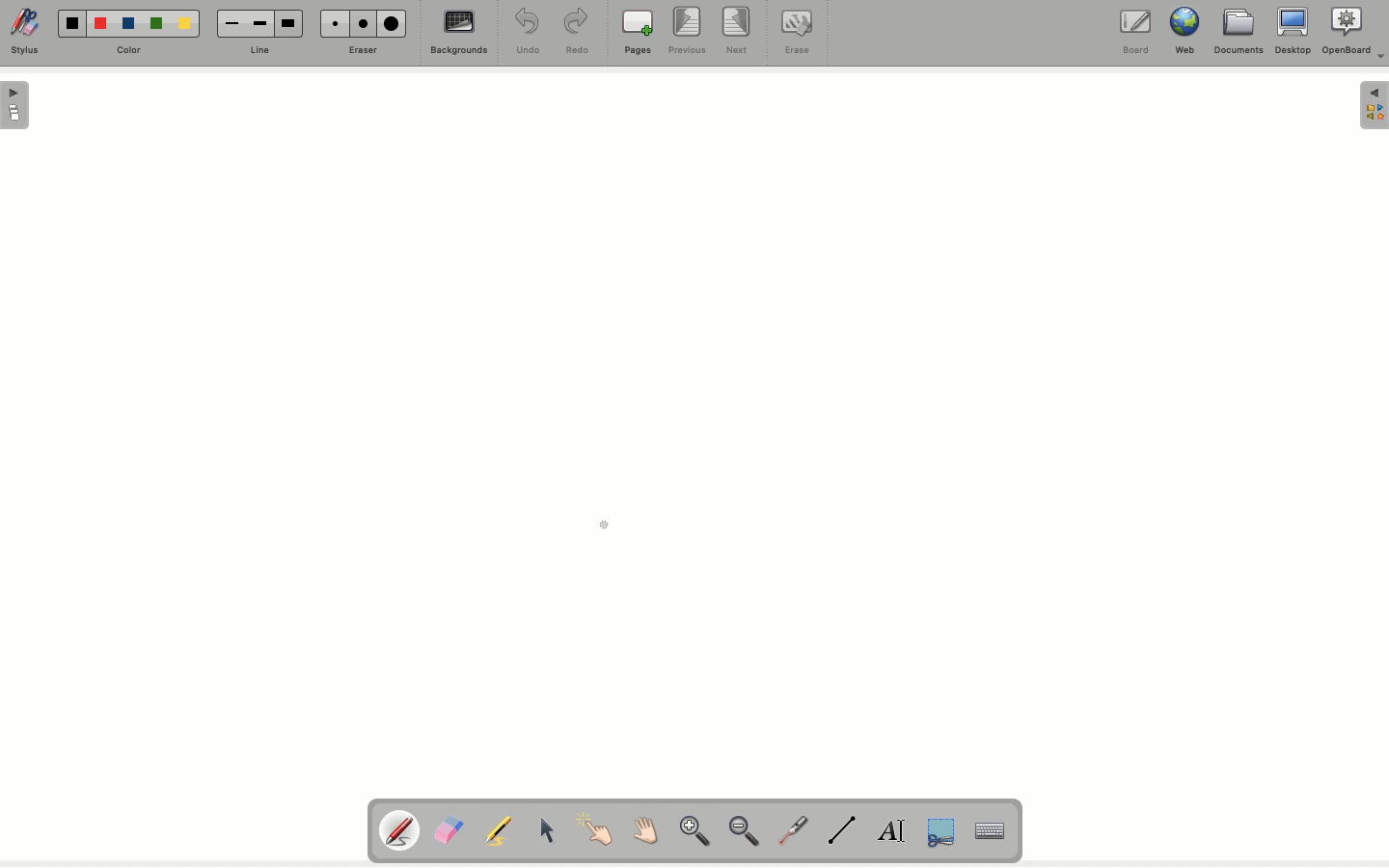 This screenshot has height=868, width=1389. Describe the element at coordinates (940, 833) in the screenshot. I see `Cut` at that location.